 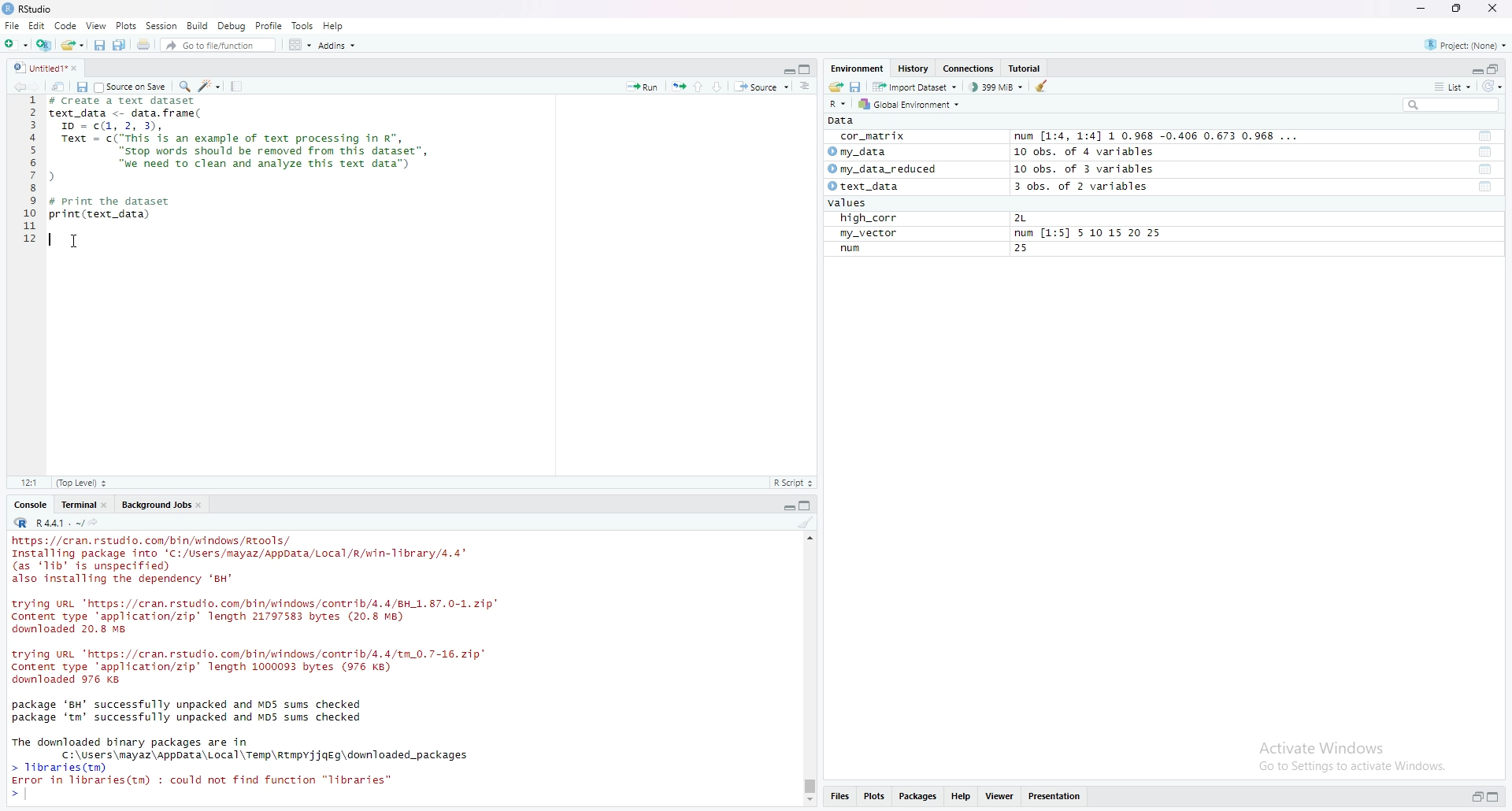 I want to click on debug, so click(x=232, y=26).